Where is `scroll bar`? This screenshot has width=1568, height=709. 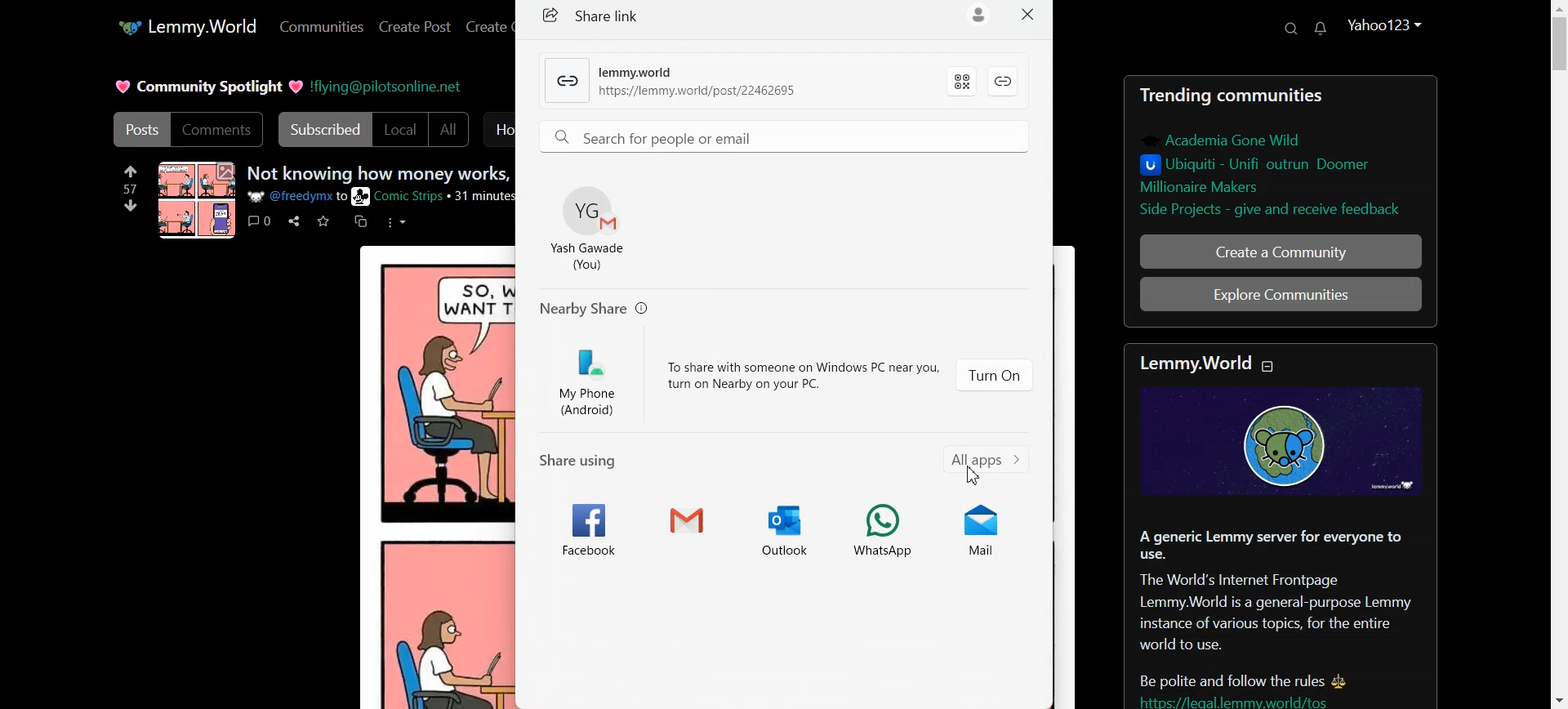 scroll bar is located at coordinates (1561, 358).